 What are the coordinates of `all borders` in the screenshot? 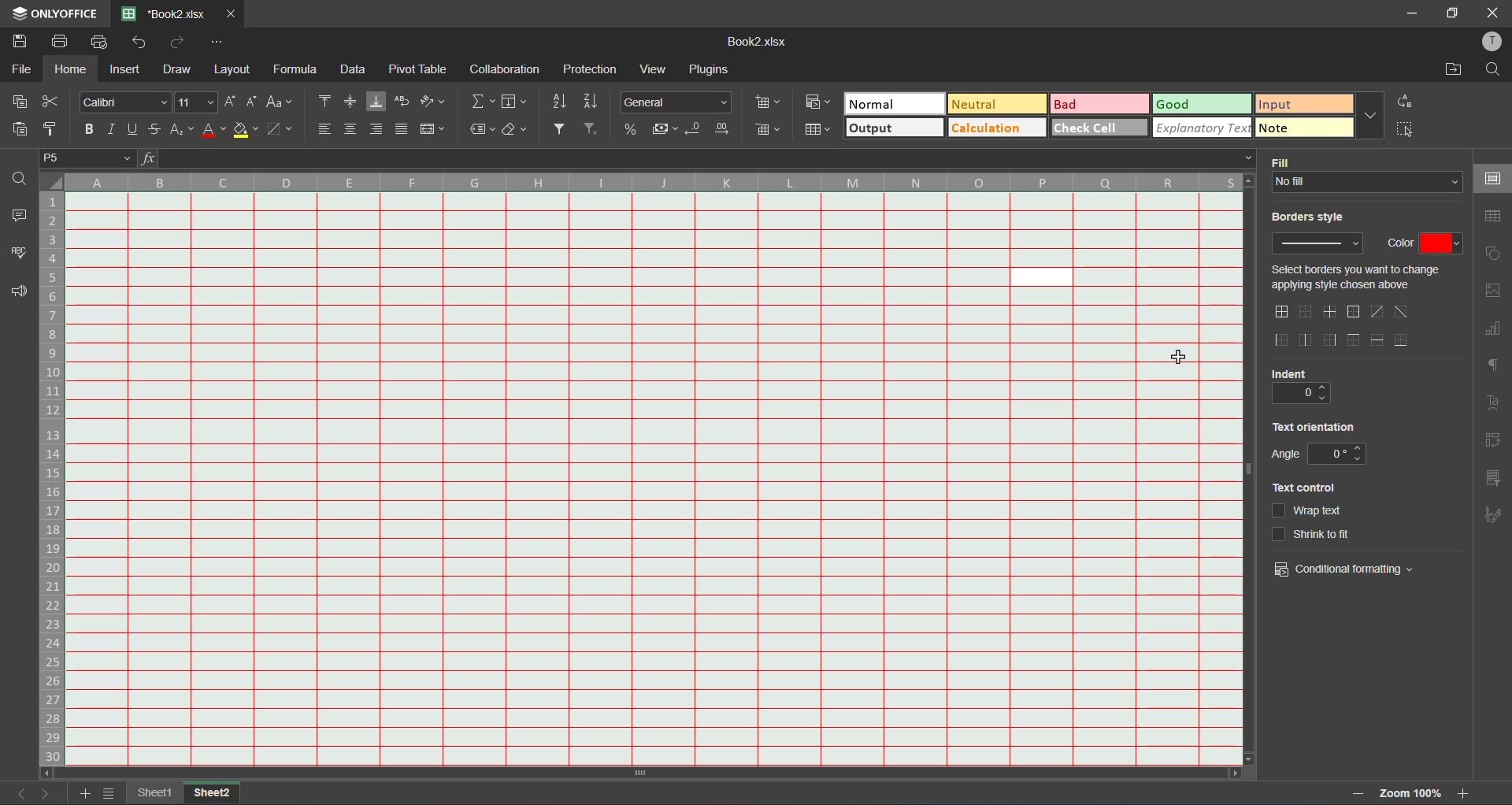 It's located at (1284, 312).